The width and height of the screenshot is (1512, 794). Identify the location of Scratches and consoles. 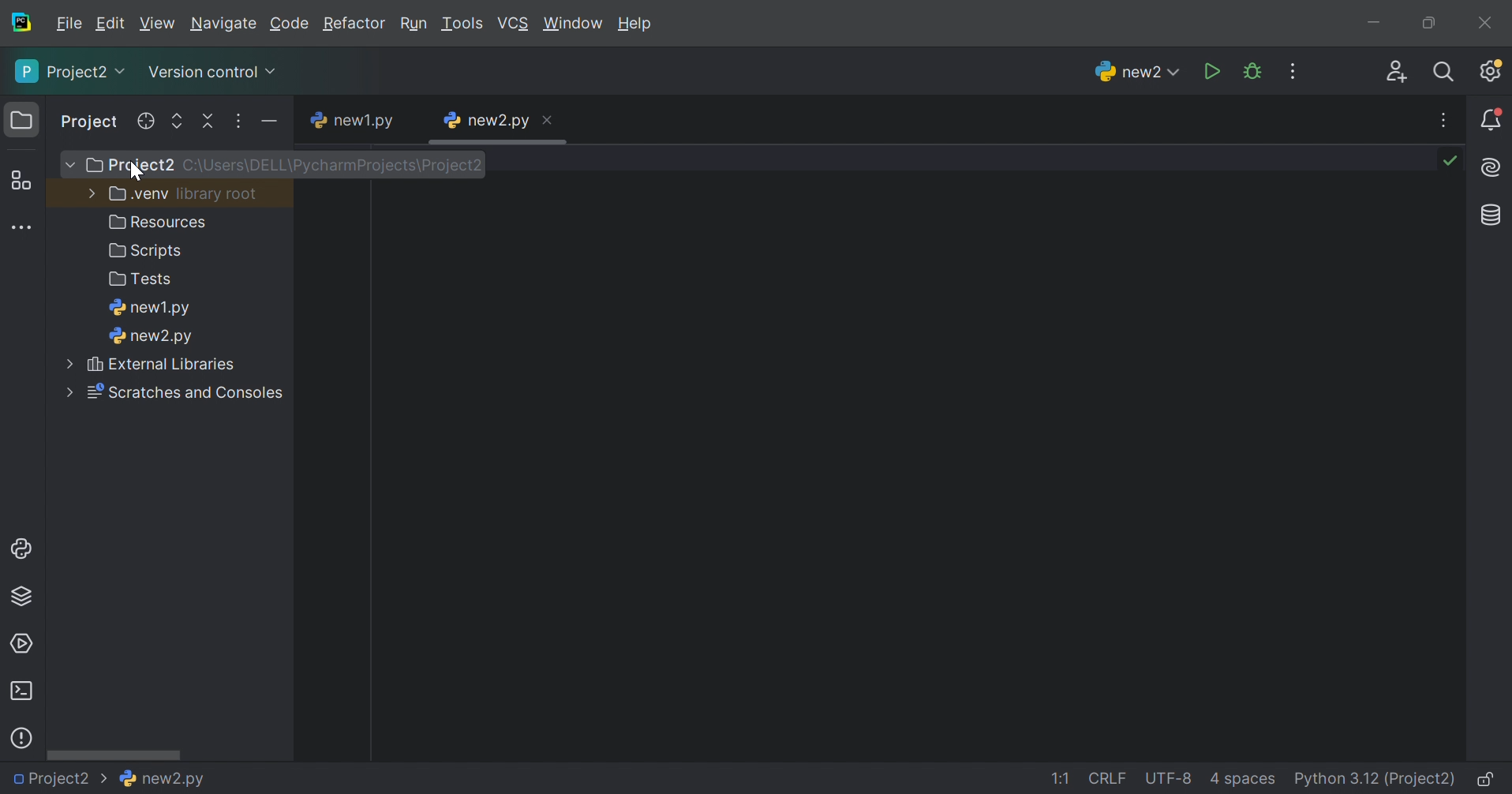
(187, 394).